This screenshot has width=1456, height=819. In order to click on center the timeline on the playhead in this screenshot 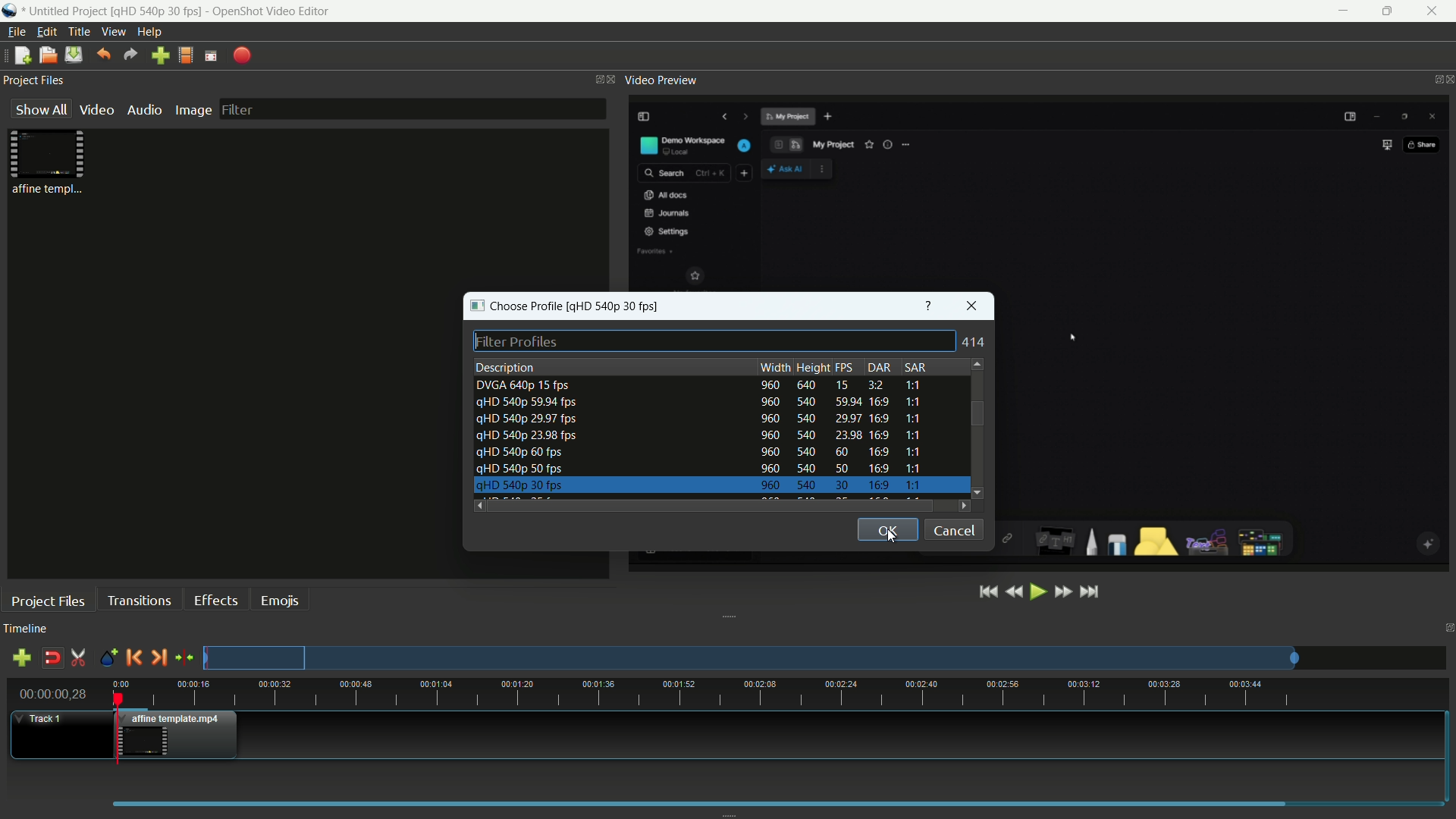, I will do `click(184, 657)`.